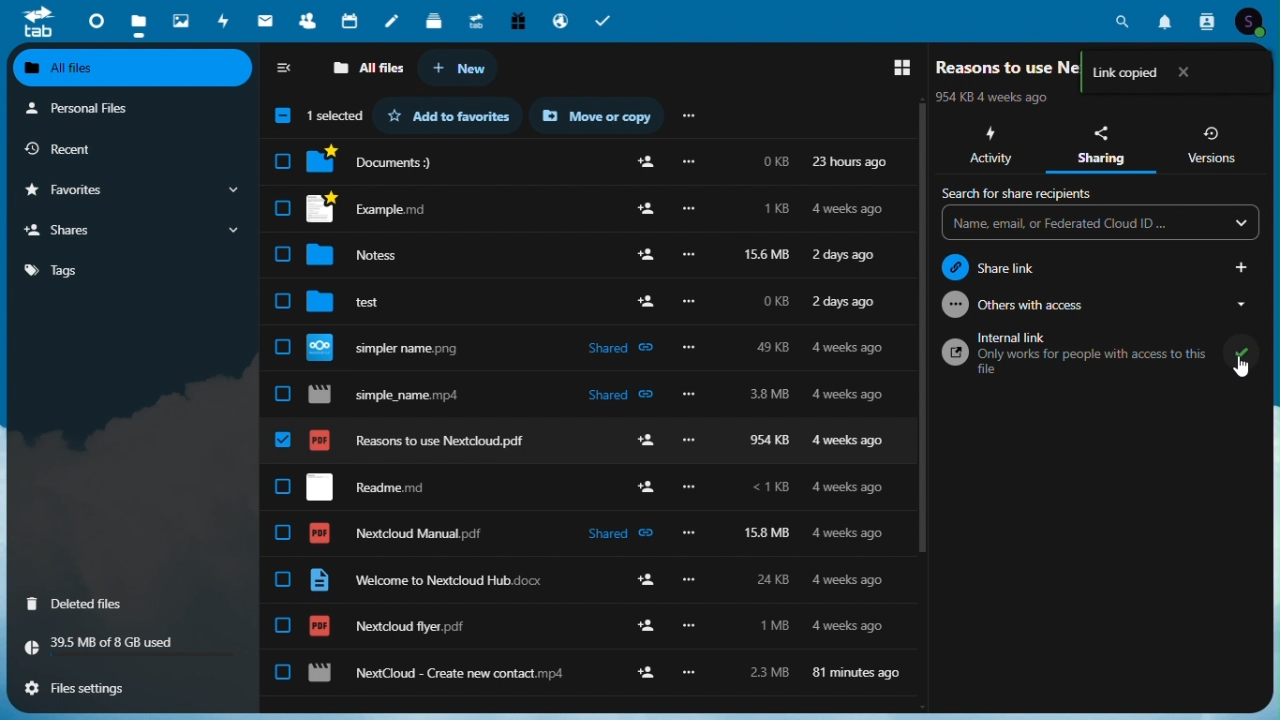  I want to click on notifications, so click(1166, 20).